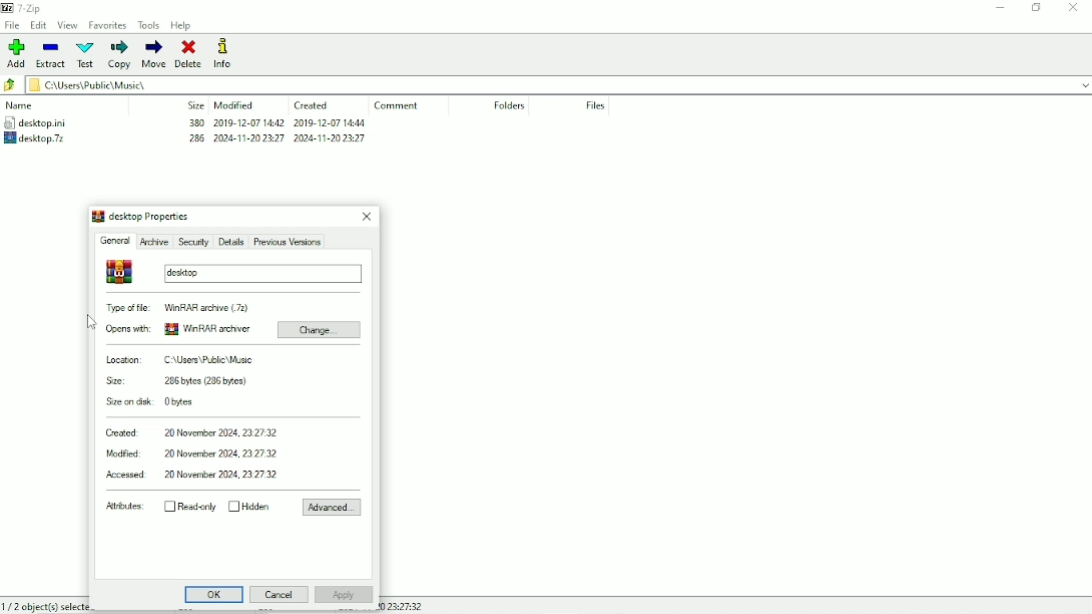 Image resolution: width=1092 pixels, height=614 pixels. What do you see at coordinates (193, 455) in the screenshot?
I see `Modified date and time` at bounding box center [193, 455].